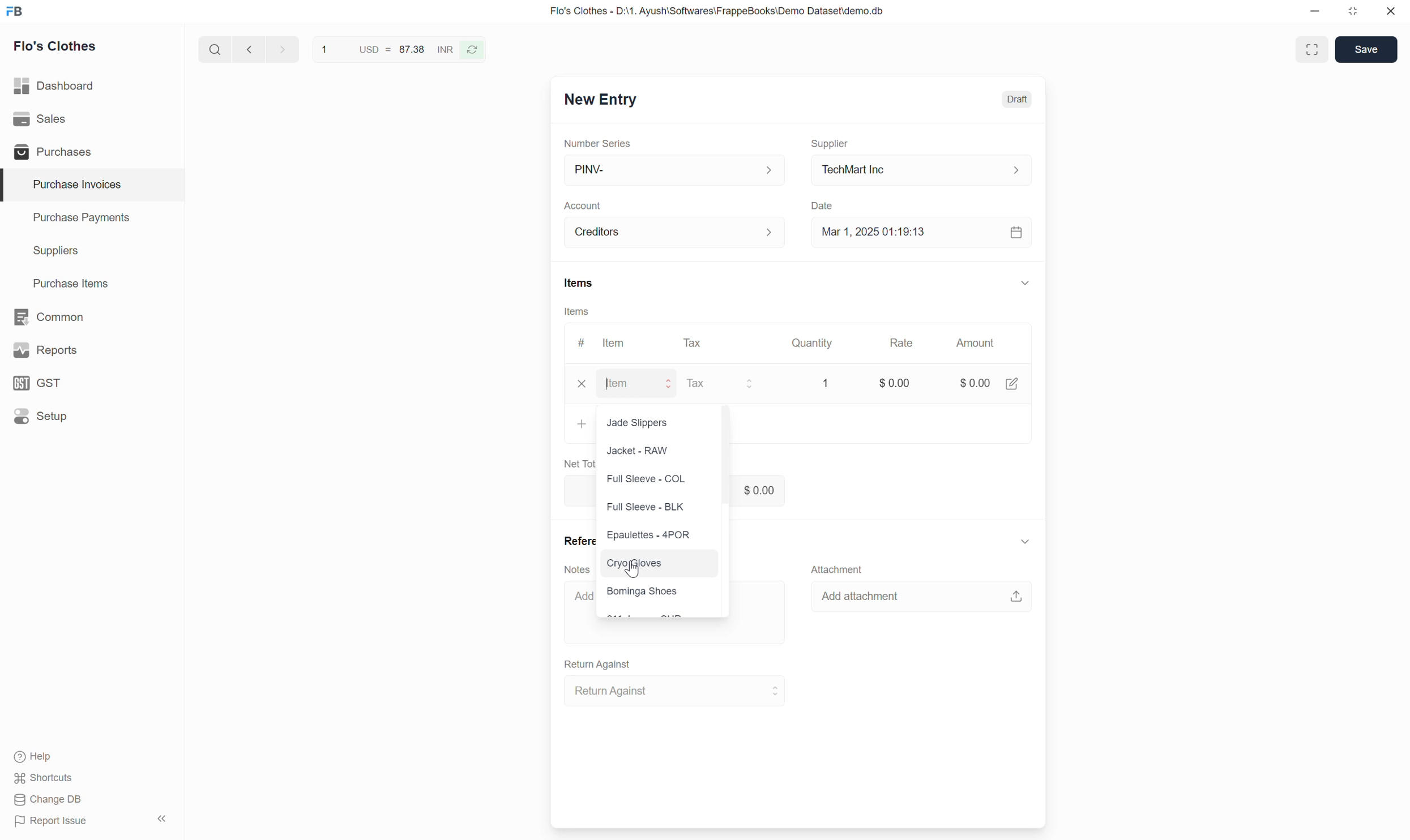  Describe the element at coordinates (578, 283) in the screenshot. I see `Items` at that location.